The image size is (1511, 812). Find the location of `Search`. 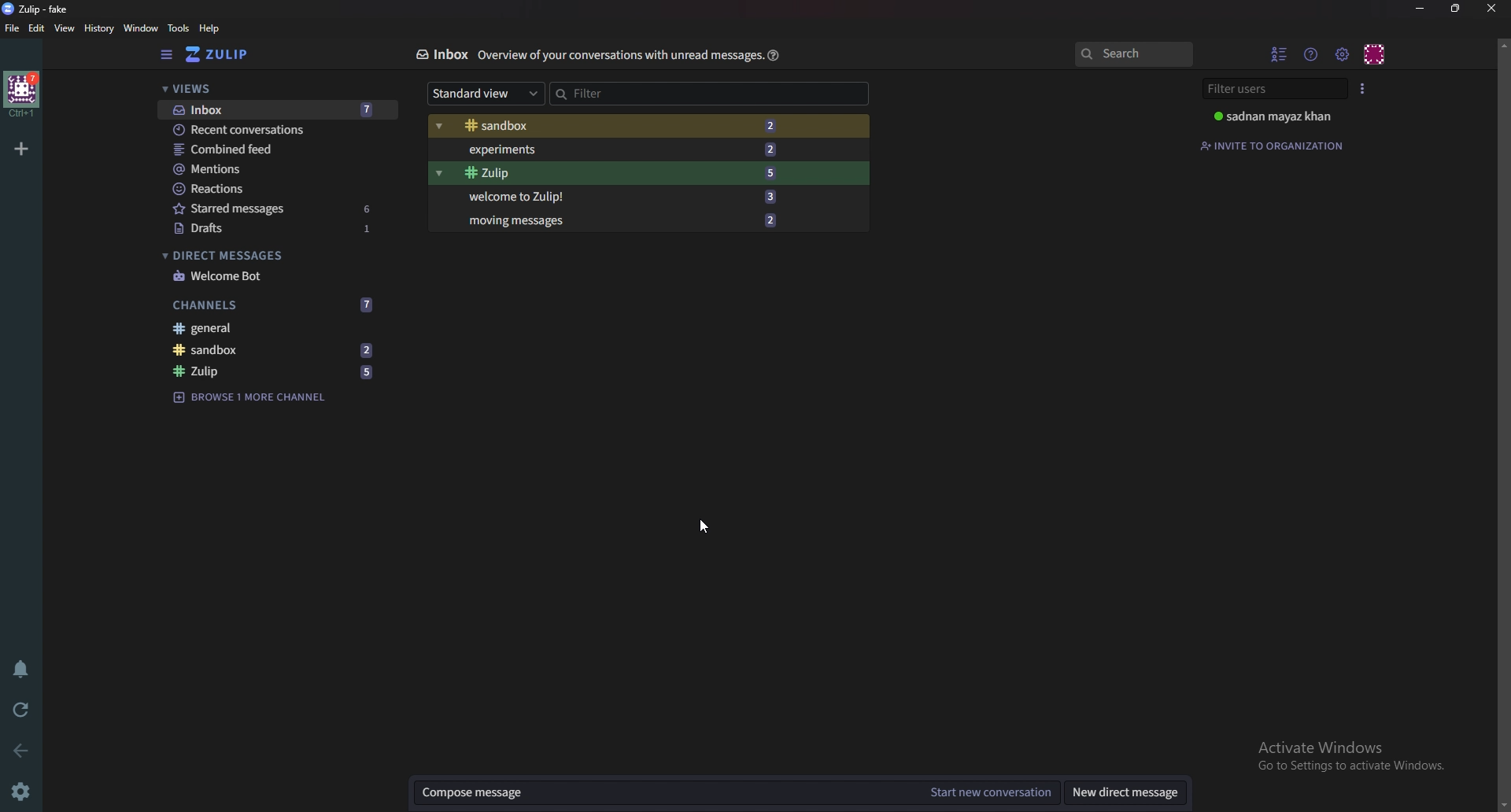

Search is located at coordinates (1135, 54).